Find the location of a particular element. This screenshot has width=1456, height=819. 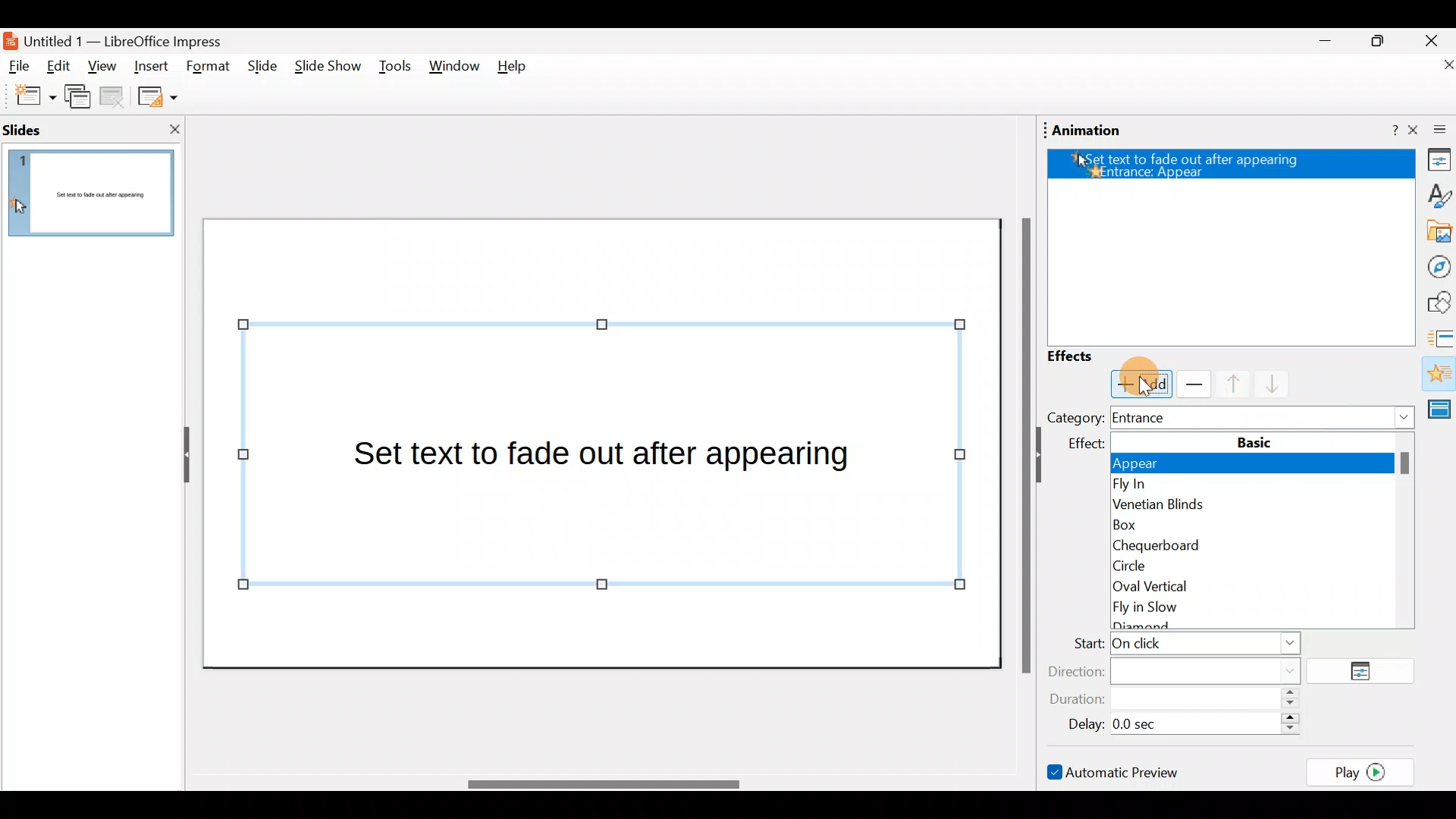

Navigator is located at coordinates (1435, 265).